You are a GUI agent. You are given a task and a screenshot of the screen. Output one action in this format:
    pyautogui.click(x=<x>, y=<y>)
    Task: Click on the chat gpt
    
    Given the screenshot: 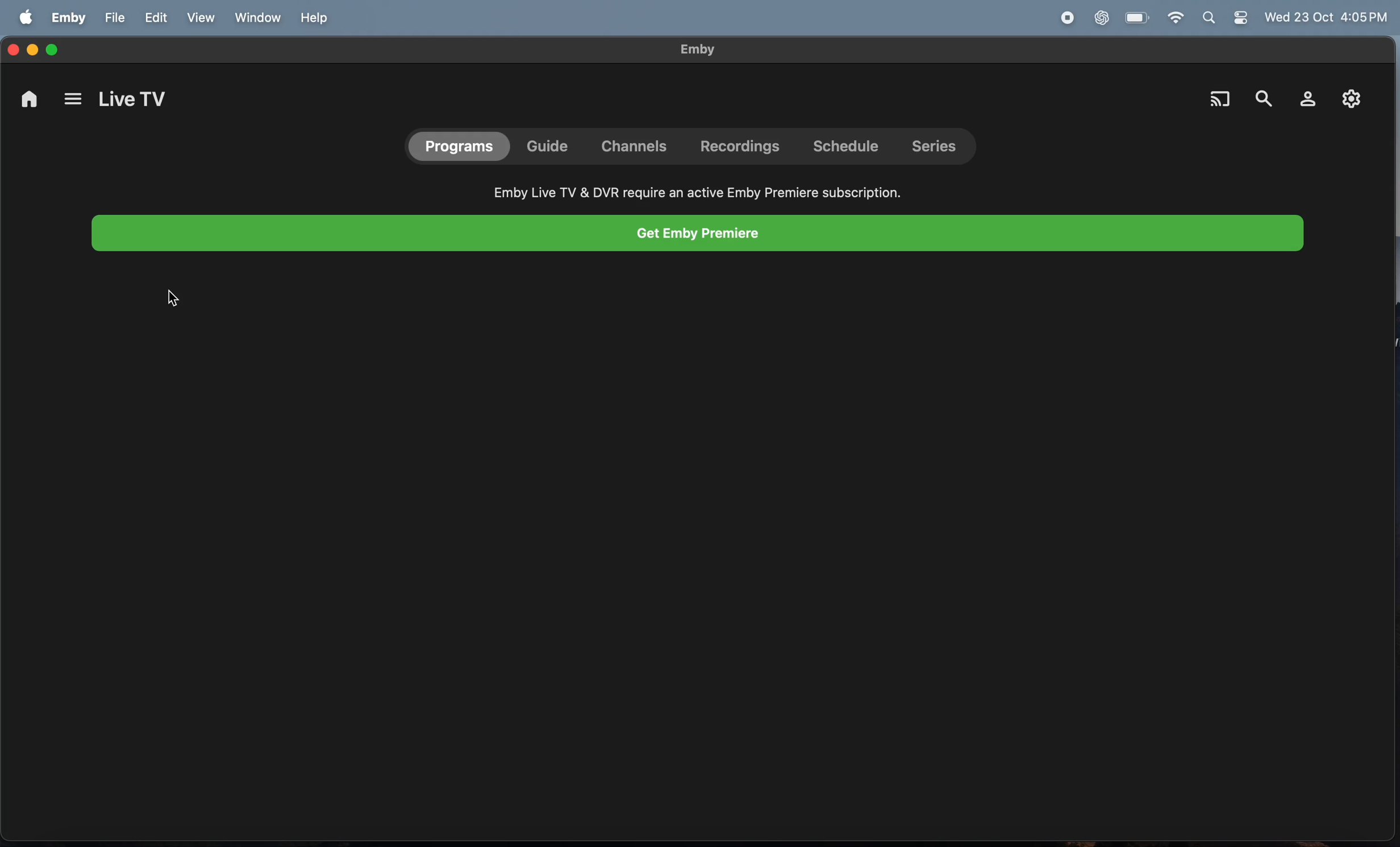 What is the action you would take?
    pyautogui.click(x=1103, y=17)
    